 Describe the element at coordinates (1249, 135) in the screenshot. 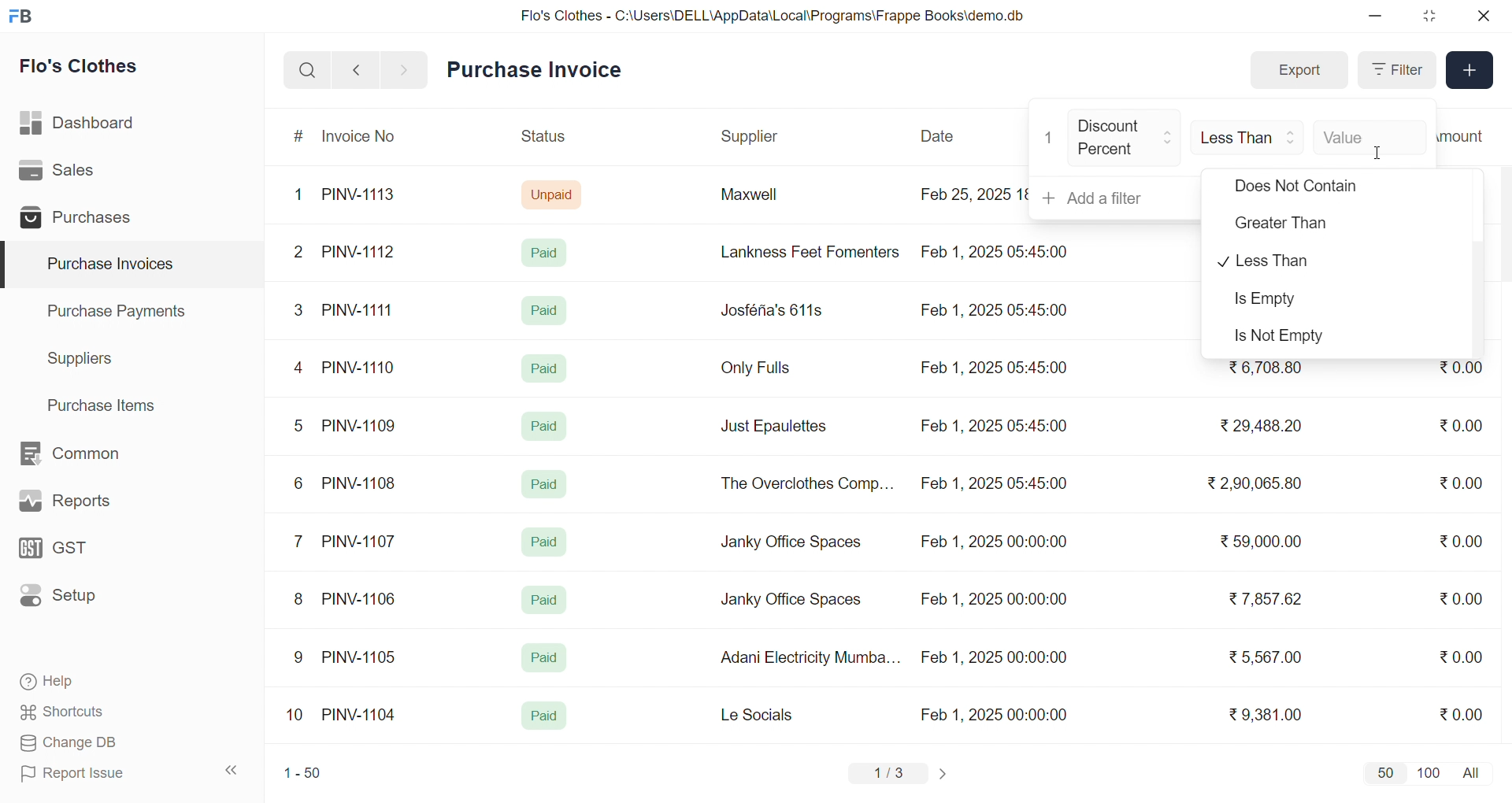

I see `Less Than` at that location.